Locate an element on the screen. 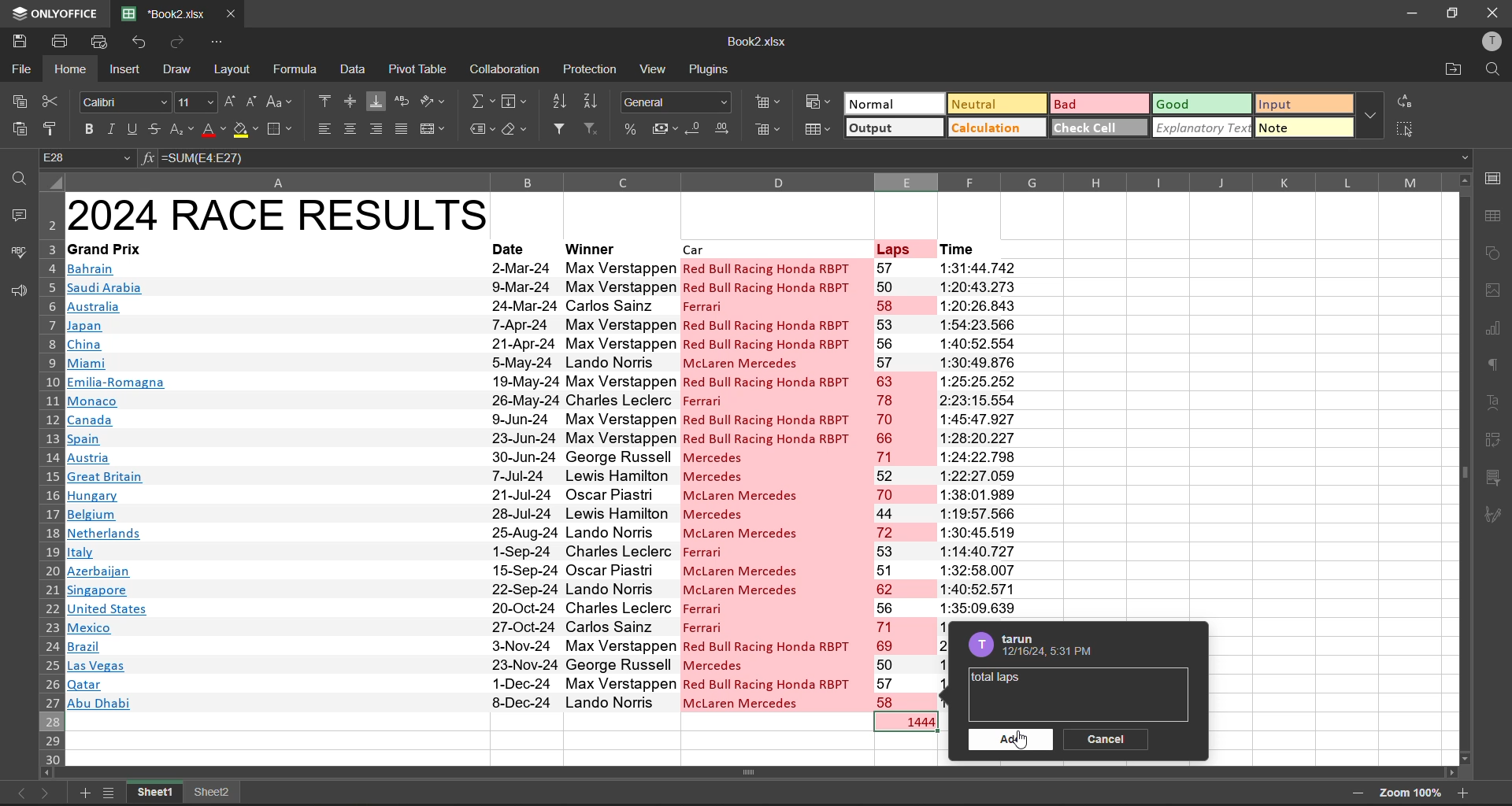 Image resolution: width=1512 pixels, height=806 pixels. sheet list is located at coordinates (109, 793).